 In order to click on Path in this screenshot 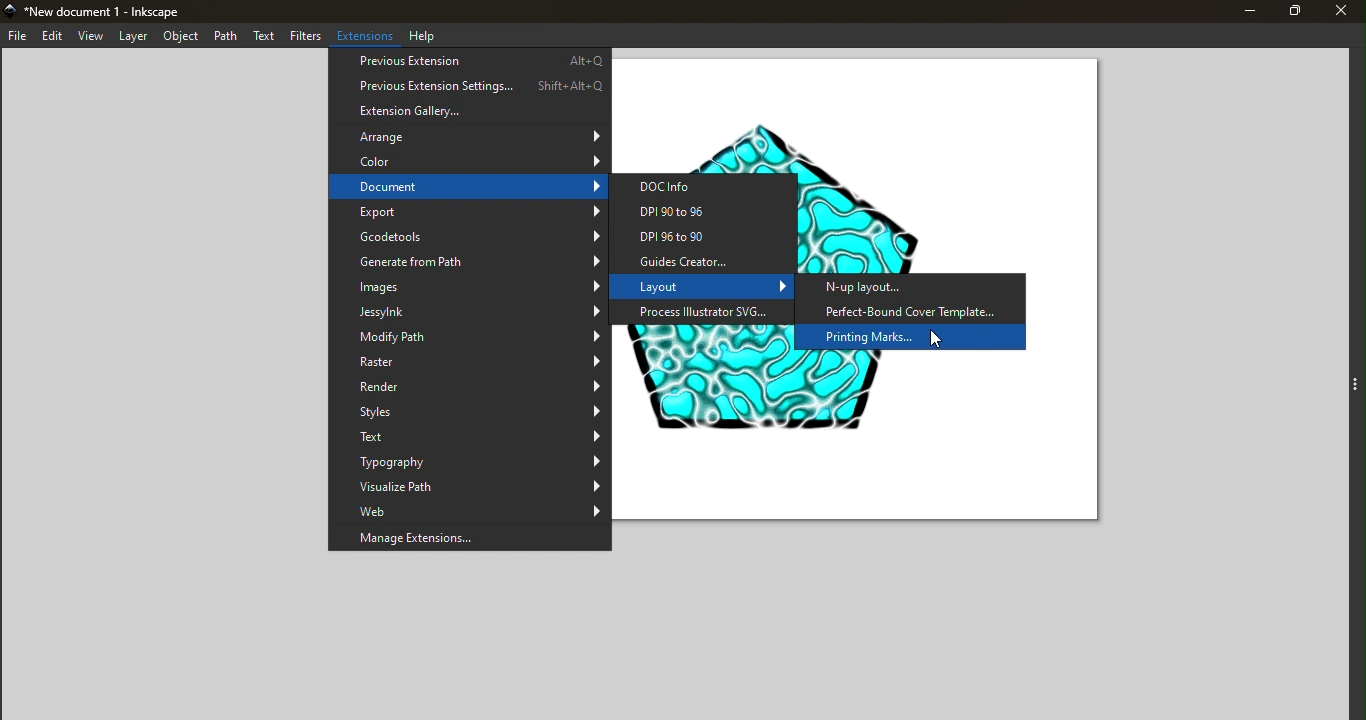, I will do `click(228, 38)`.